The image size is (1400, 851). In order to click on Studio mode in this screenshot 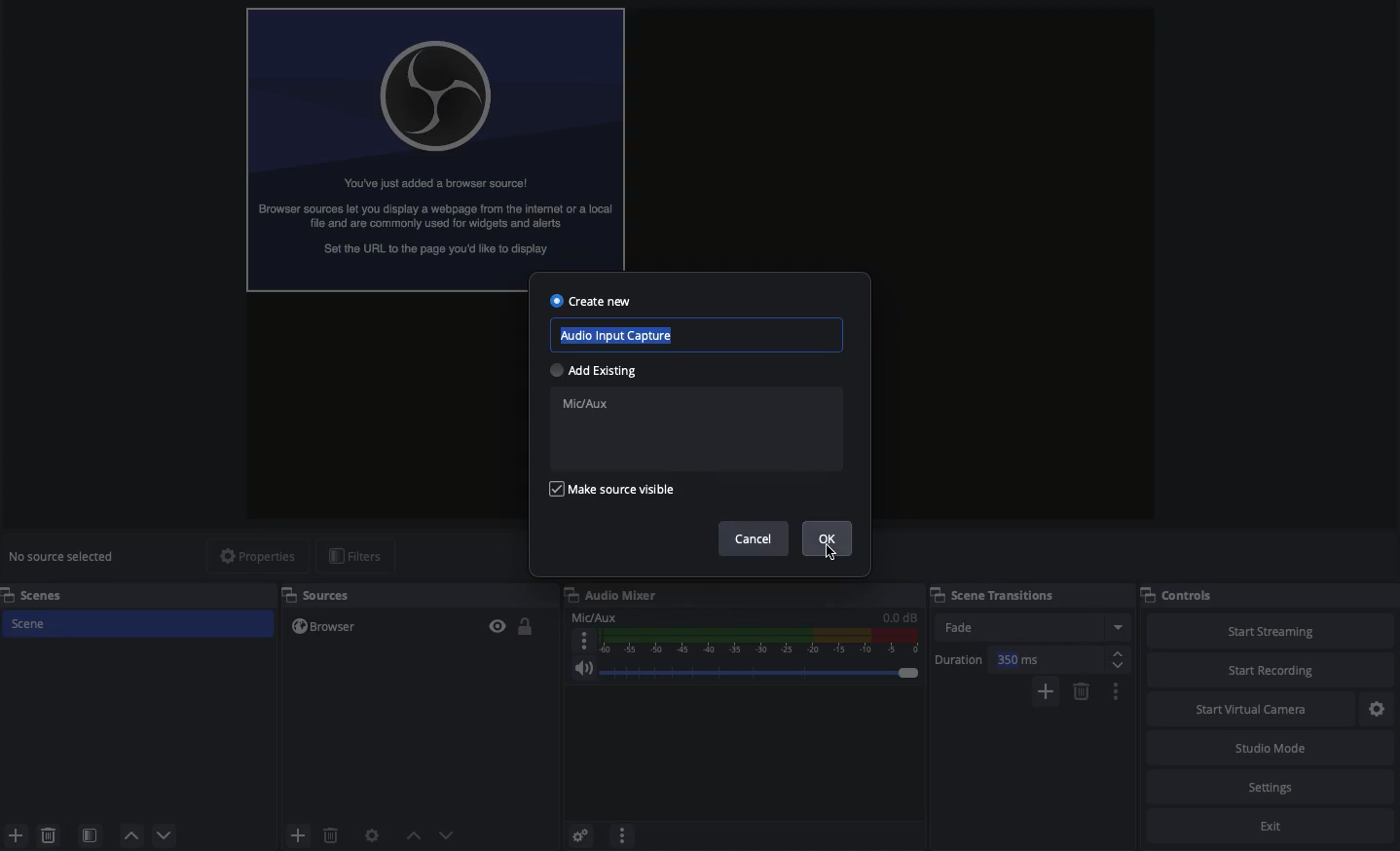, I will do `click(1271, 751)`.